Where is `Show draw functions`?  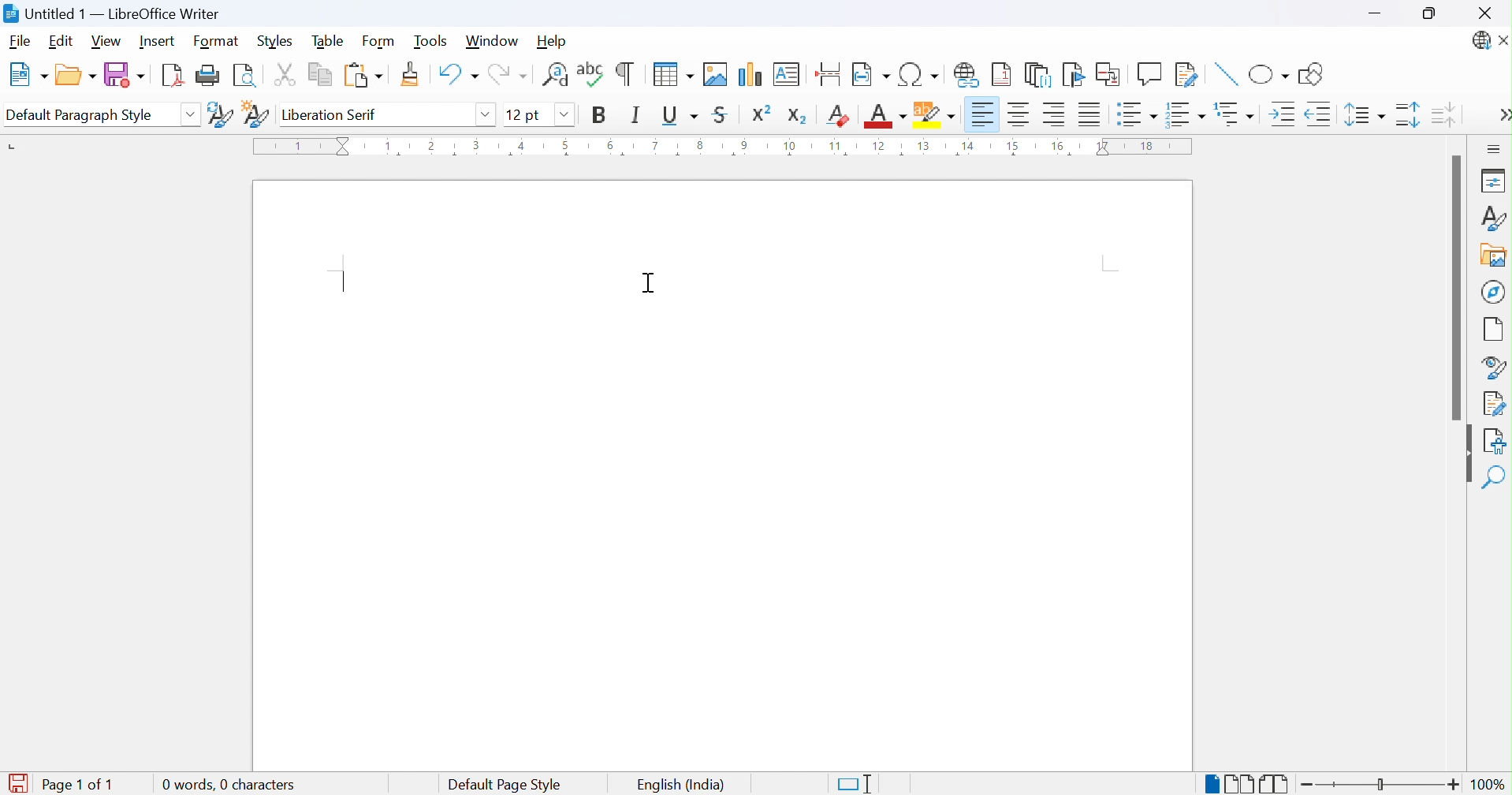
Show draw functions is located at coordinates (1315, 73).